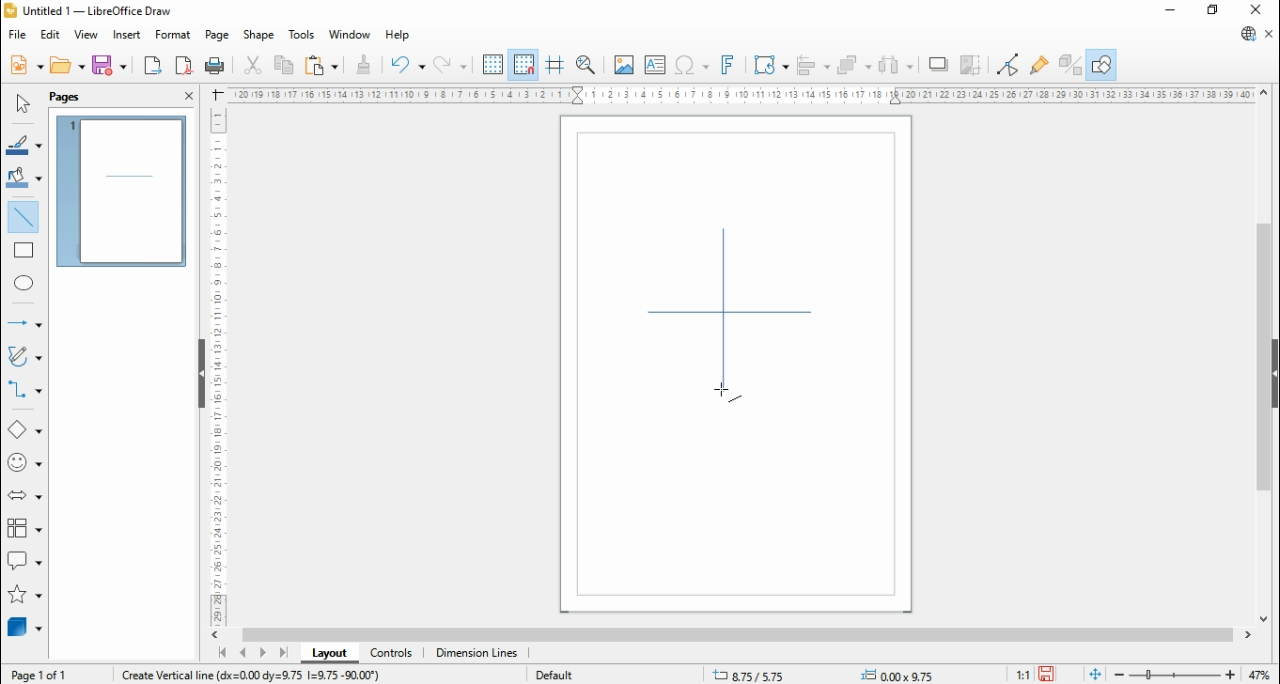 The width and height of the screenshot is (1280, 684). I want to click on zoom slider, so click(1173, 675).